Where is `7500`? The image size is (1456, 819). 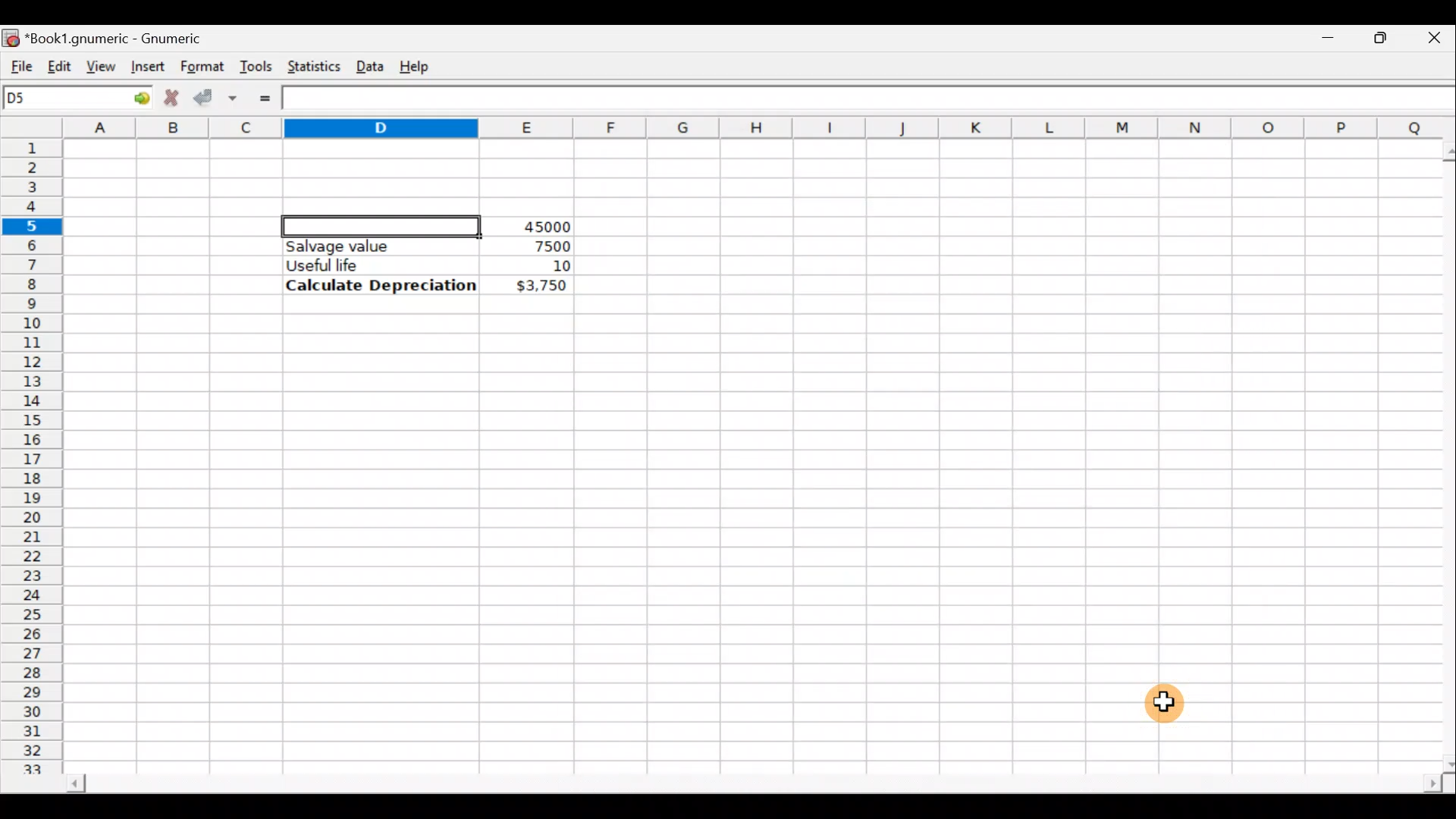 7500 is located at coordinates (528, 245).